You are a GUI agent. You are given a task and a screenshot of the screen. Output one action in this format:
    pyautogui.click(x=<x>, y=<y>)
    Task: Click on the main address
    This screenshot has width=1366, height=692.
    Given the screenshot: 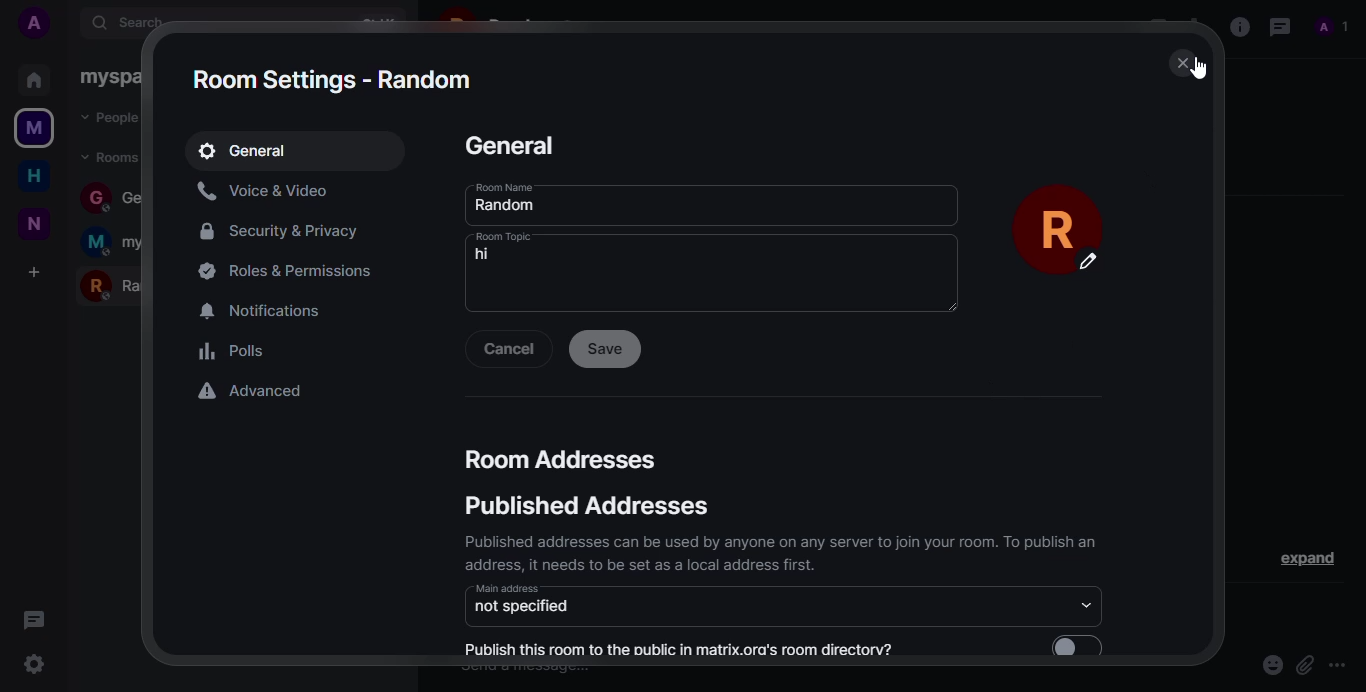 What is the action you would take?
    pyautogui.click(x=508, y=589)
    